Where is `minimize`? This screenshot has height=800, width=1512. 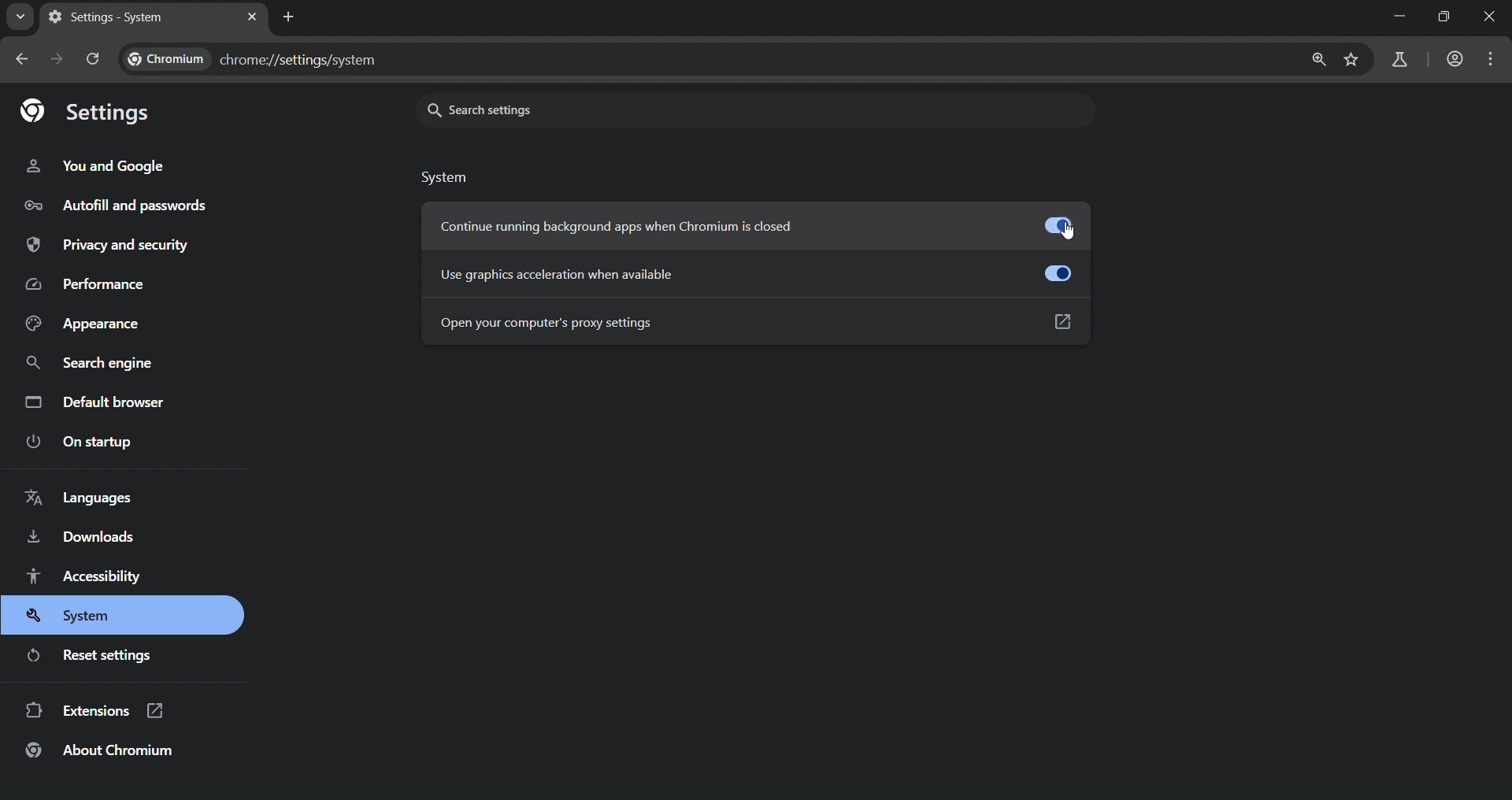 minimize is located at coordinates (1392, 17).